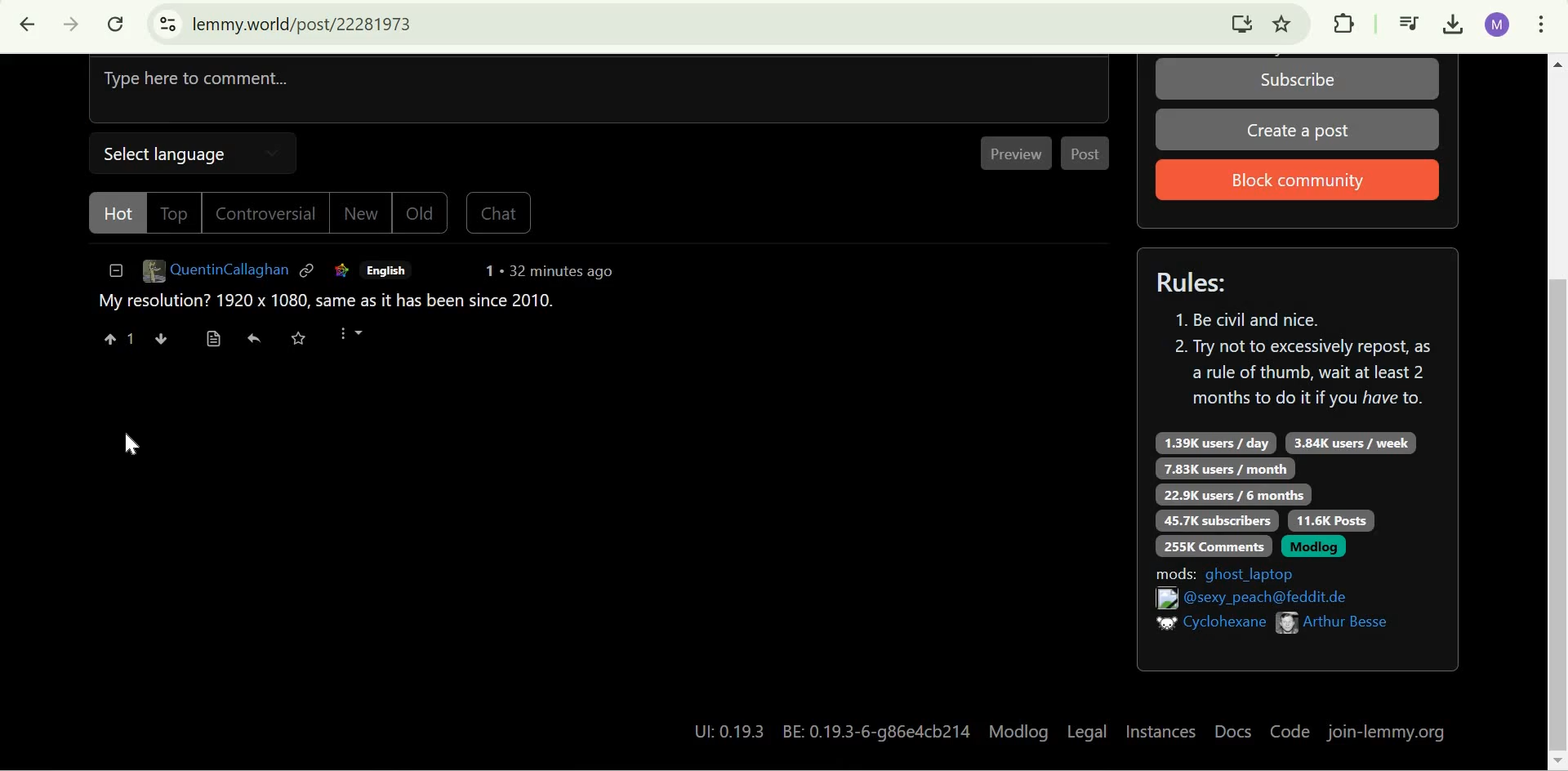 This screenshot has height=771, width=1568. I want to click on downvote, so click(164, 336).